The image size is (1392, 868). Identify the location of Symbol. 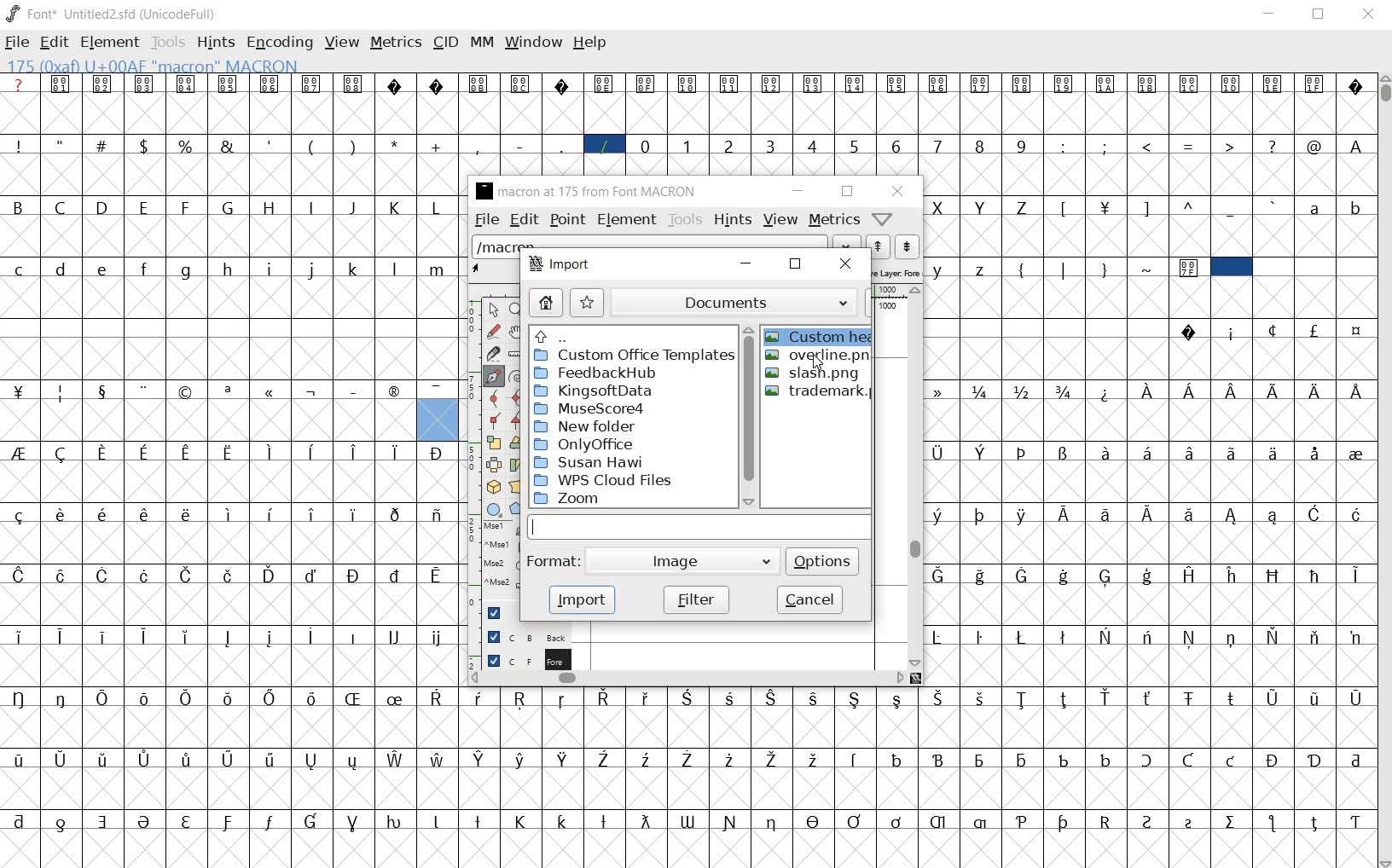
(312, 635).